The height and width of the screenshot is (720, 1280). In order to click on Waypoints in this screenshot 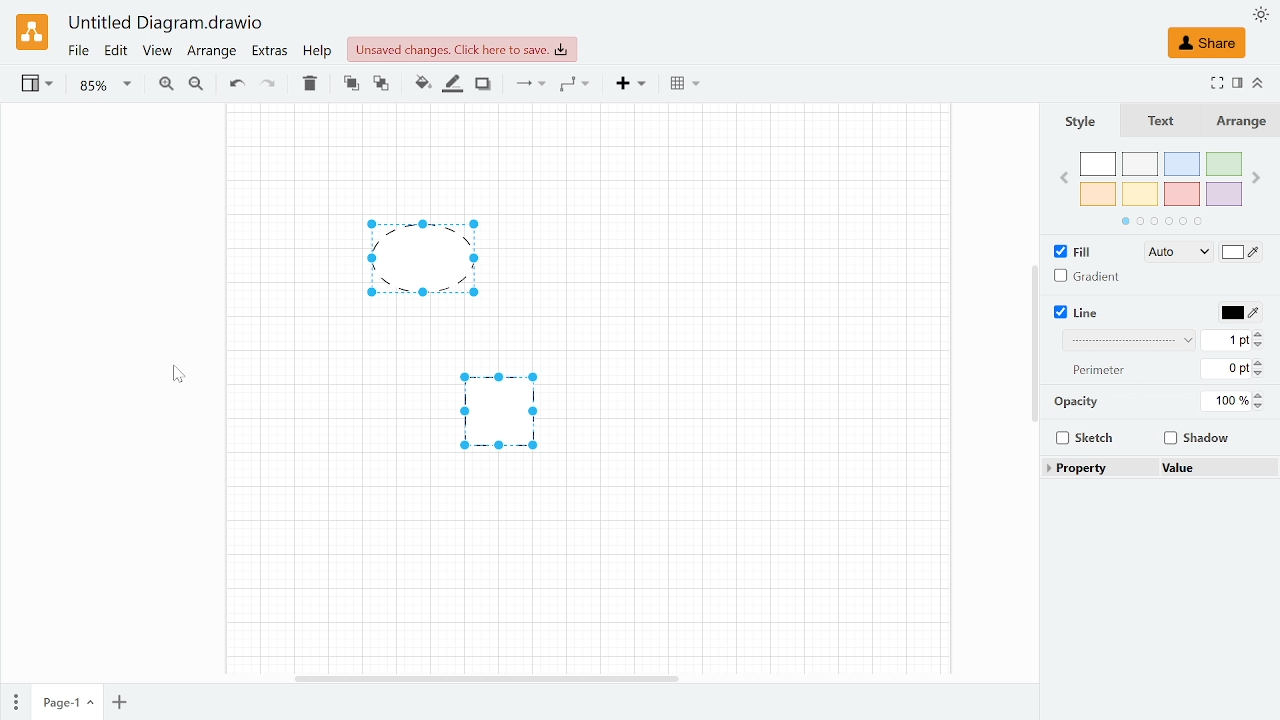, I will do `click(574, 85)`.